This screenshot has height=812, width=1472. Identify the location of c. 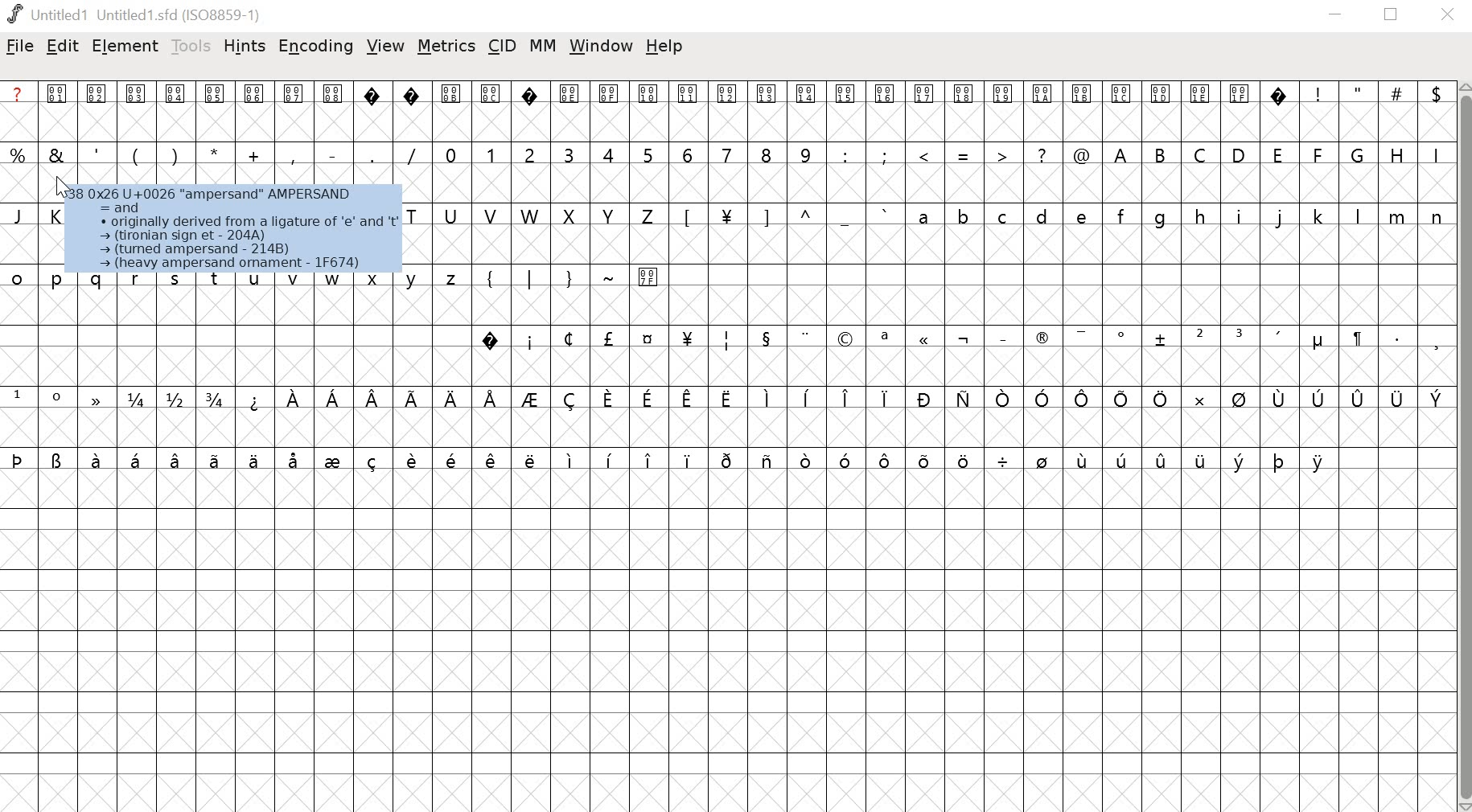
(1005, 215).